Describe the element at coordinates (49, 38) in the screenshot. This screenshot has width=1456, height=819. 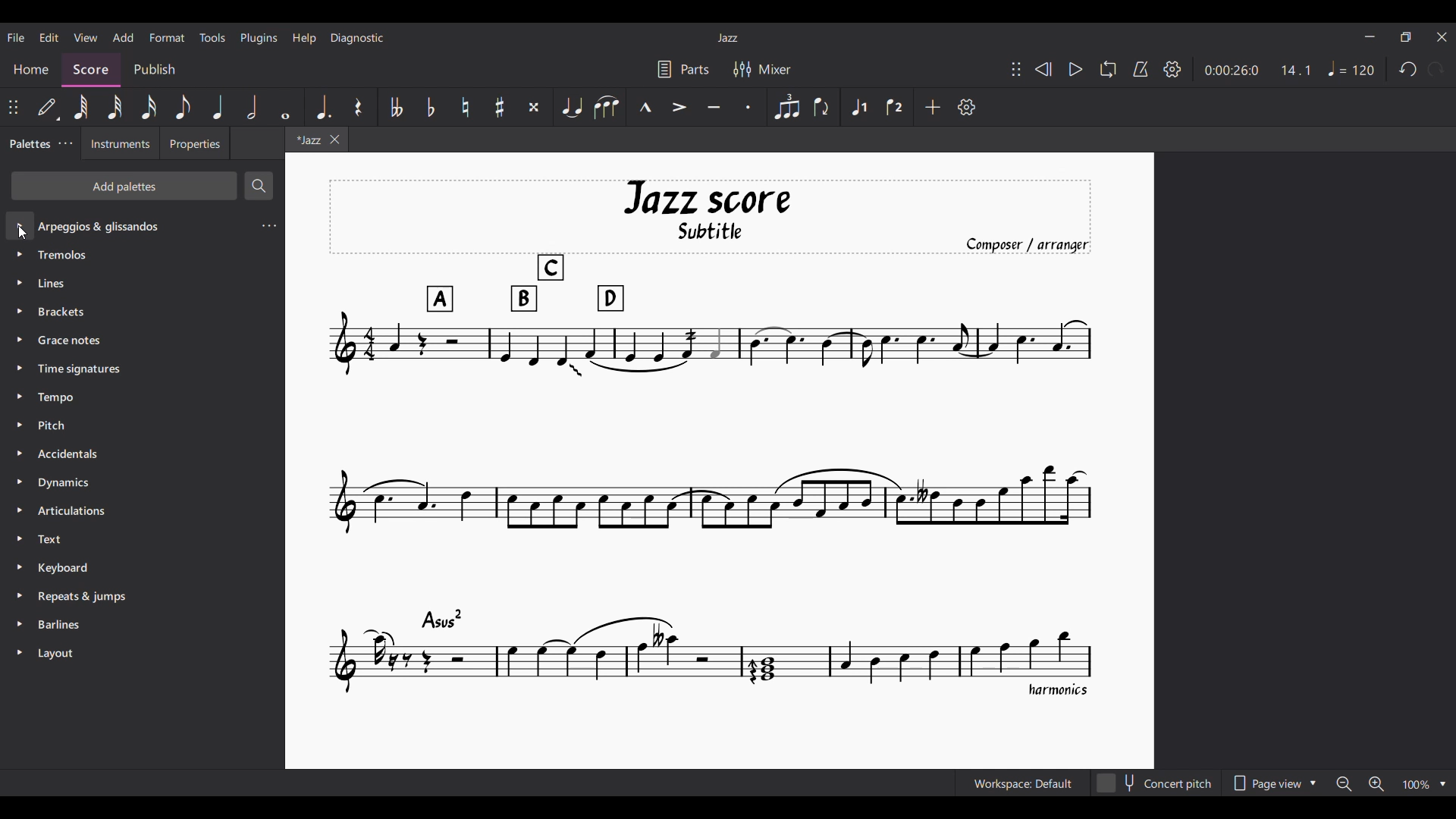
I see `Edit menu` at that location.